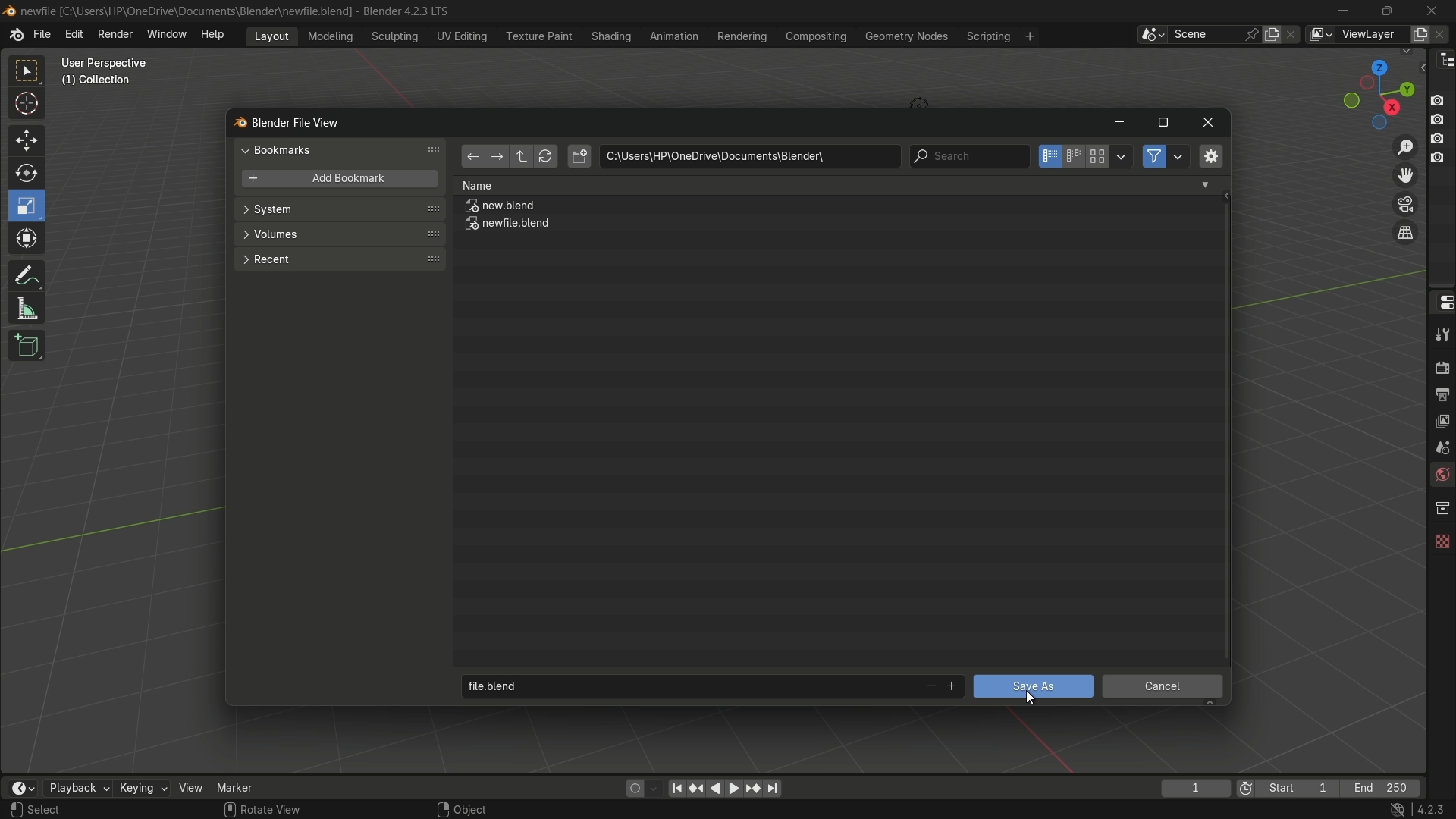 The height and width of the screenshot is (819, 1456). Describe the element at coordinates (63, 810) in the screenshot. I see `Select` at that location.